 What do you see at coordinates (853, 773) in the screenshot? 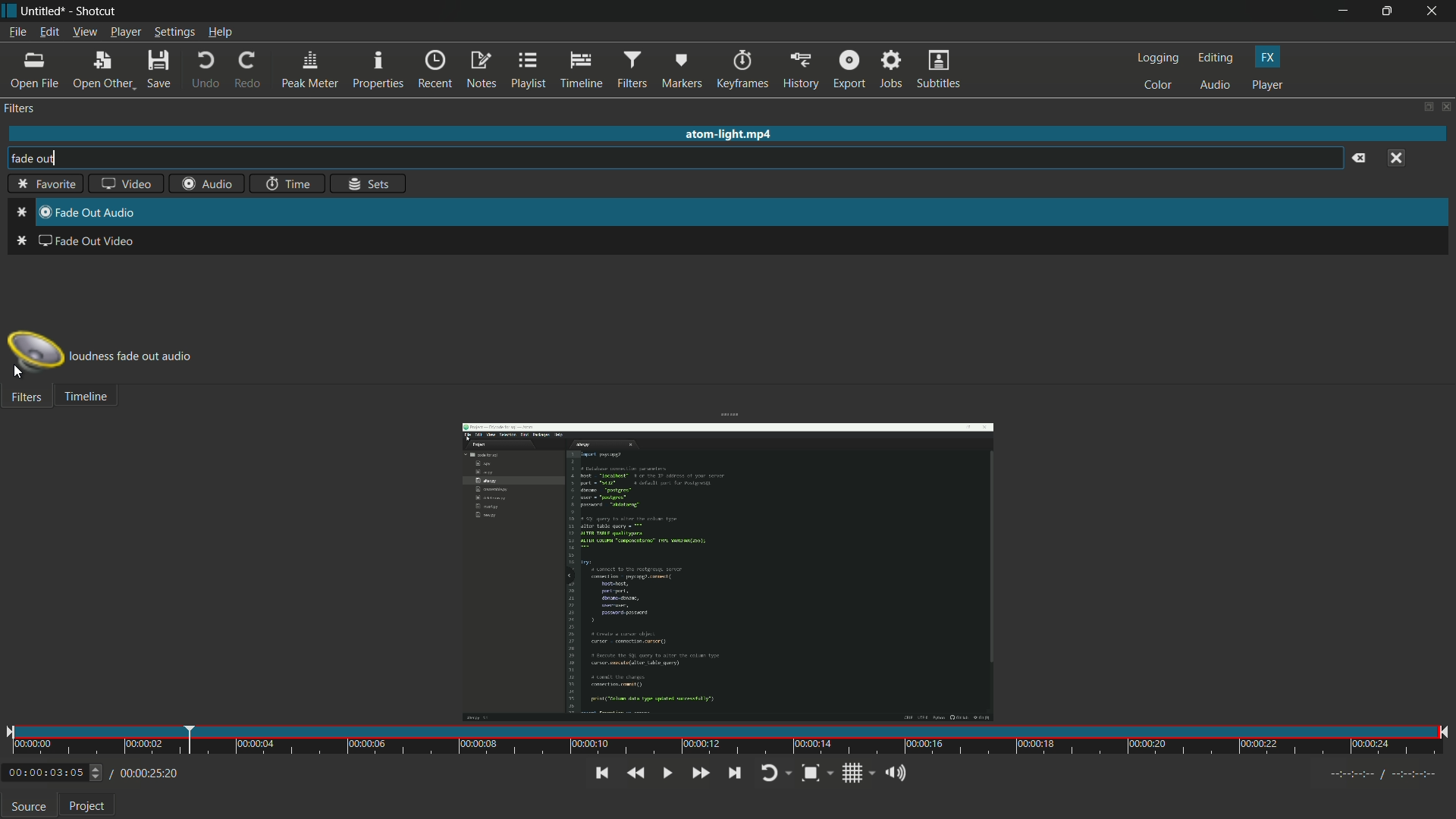
I see `toggle grid` at bounding box center [853, 773].